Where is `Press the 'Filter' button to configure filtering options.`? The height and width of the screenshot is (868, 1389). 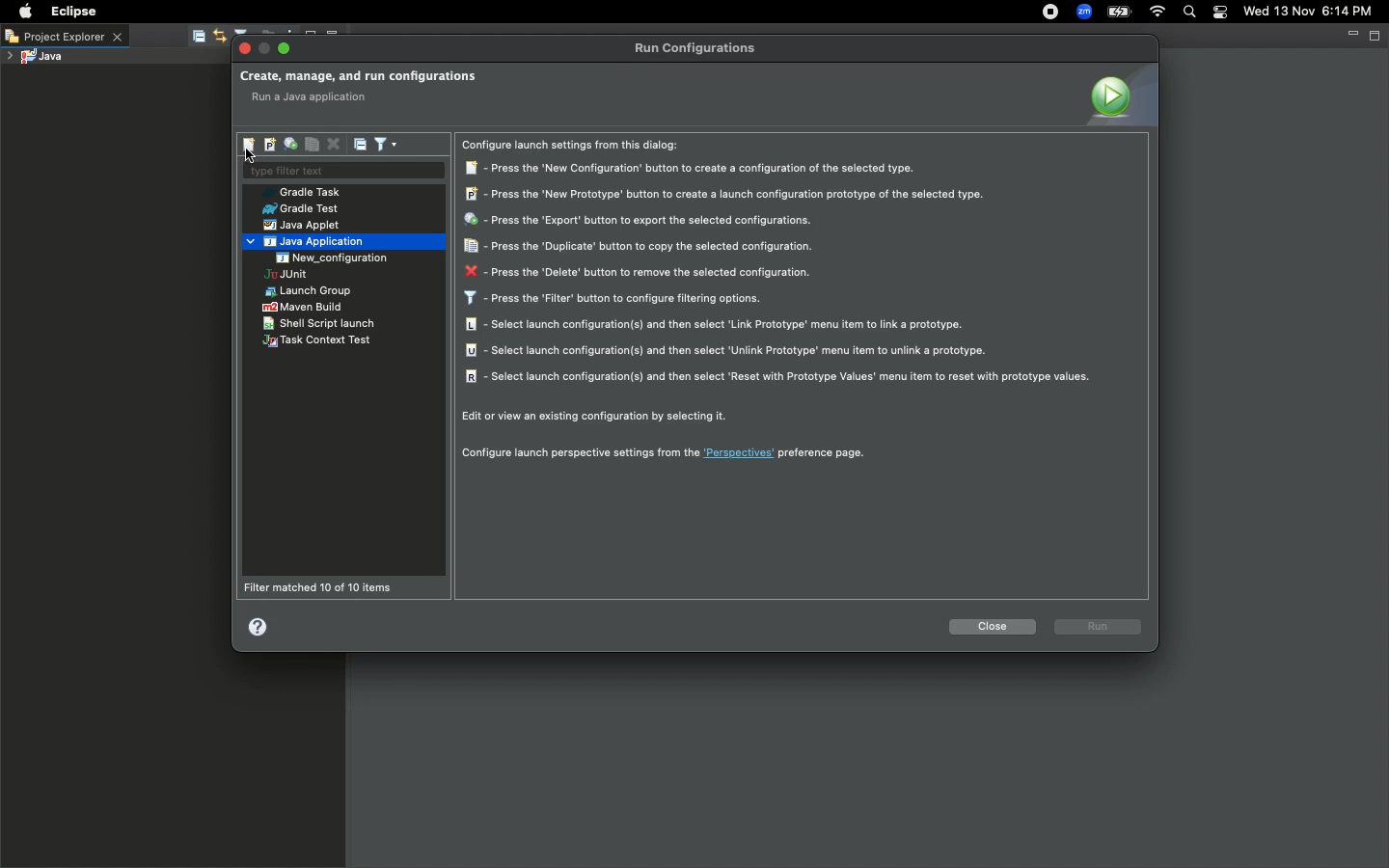
Press the 'Filter' button to configure filtering options. is located at coordinates (614, 299).